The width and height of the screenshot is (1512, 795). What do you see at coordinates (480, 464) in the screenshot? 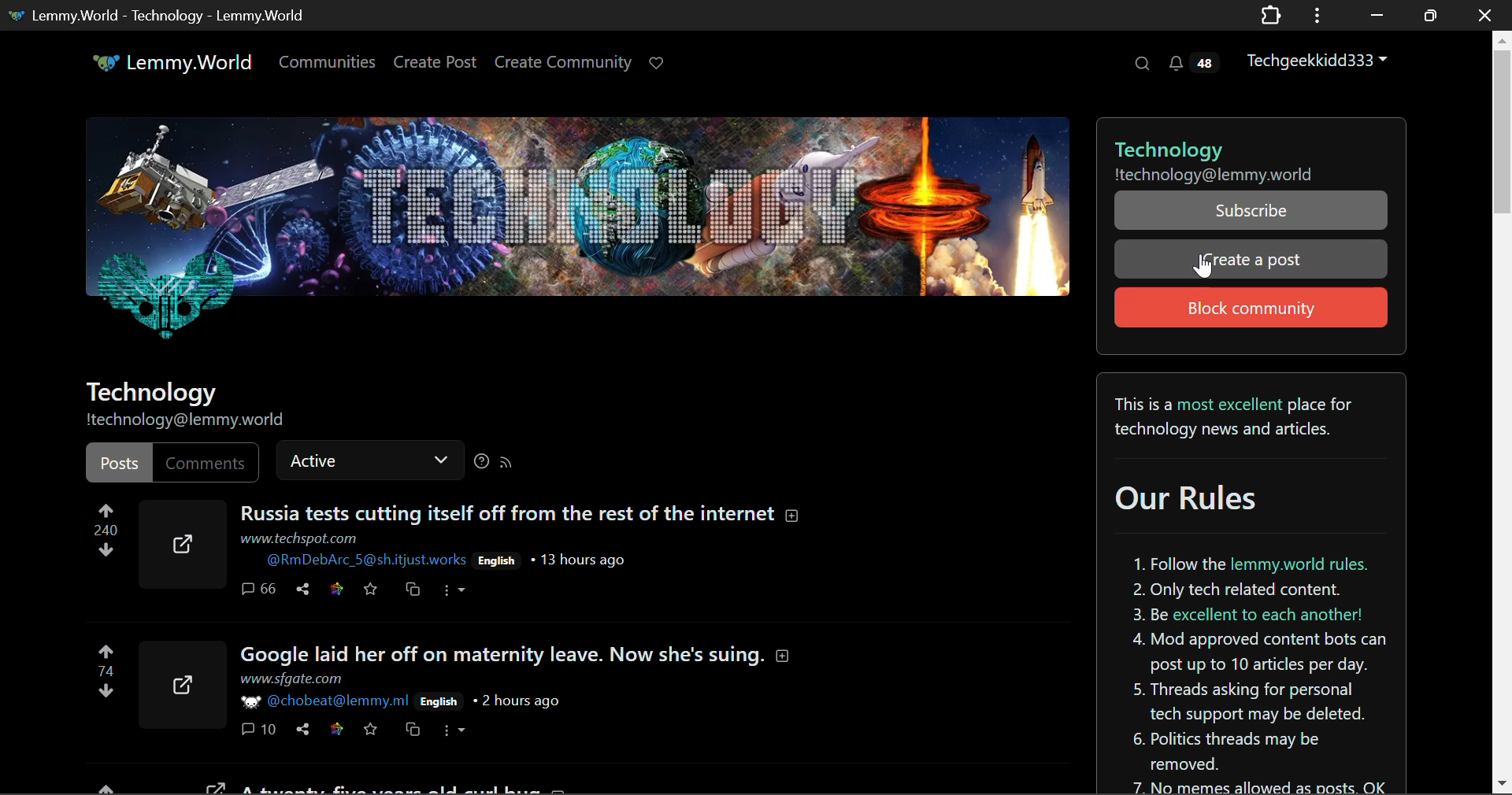
I see `Sorting Help` at bounding box center [480, 464].